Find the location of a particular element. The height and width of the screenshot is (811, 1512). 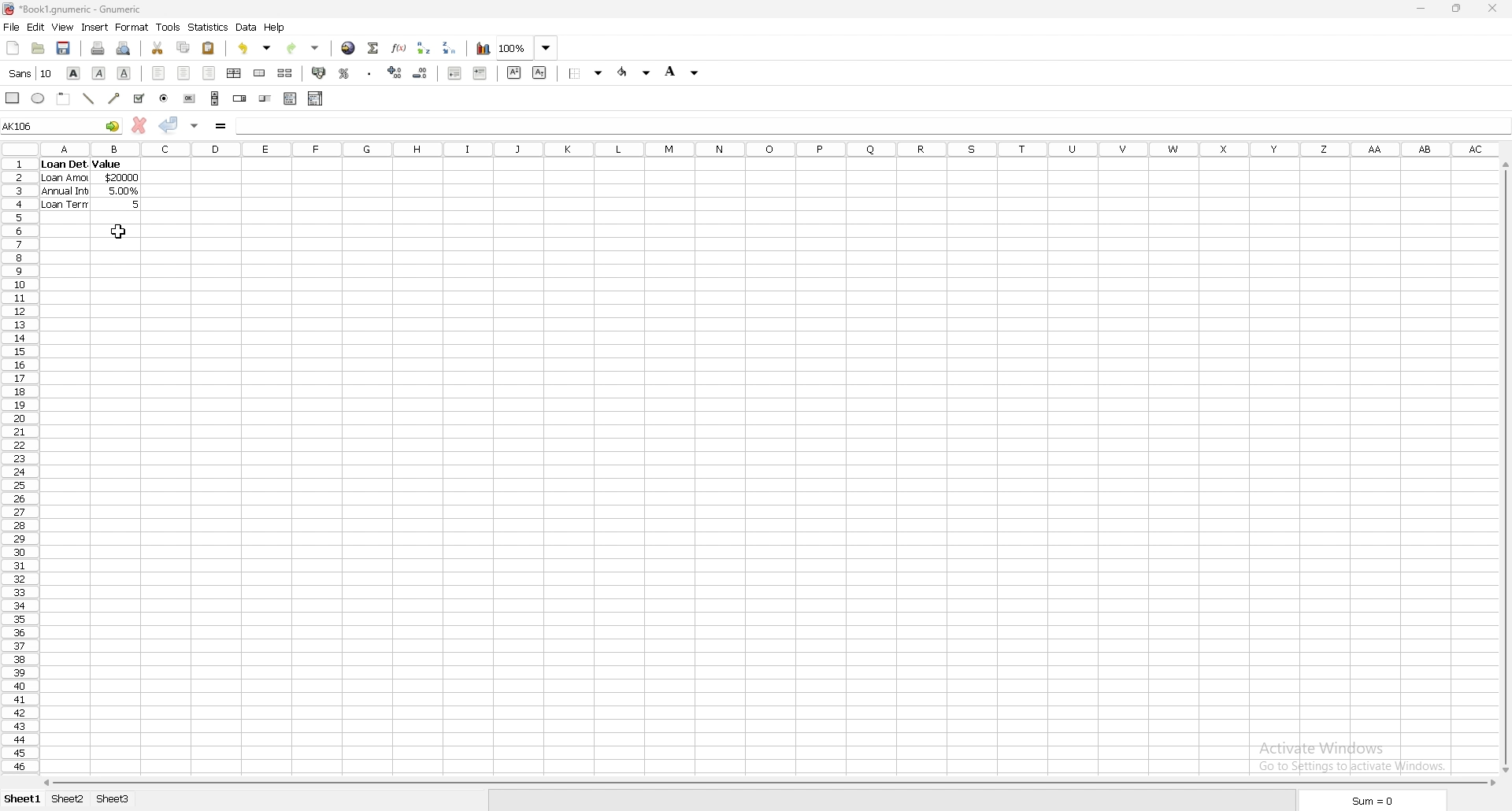

border is located at coordinates (586, 72).